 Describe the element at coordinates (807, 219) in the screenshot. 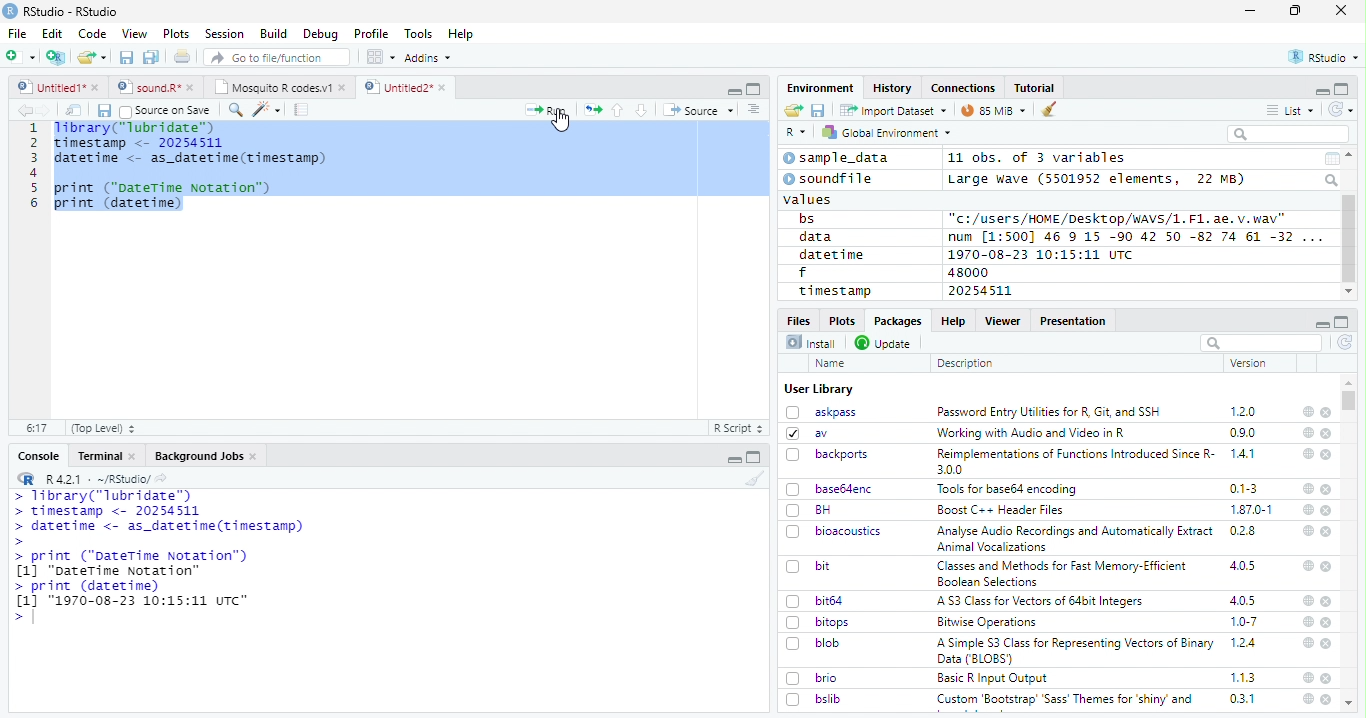

I see `bs` at that location.